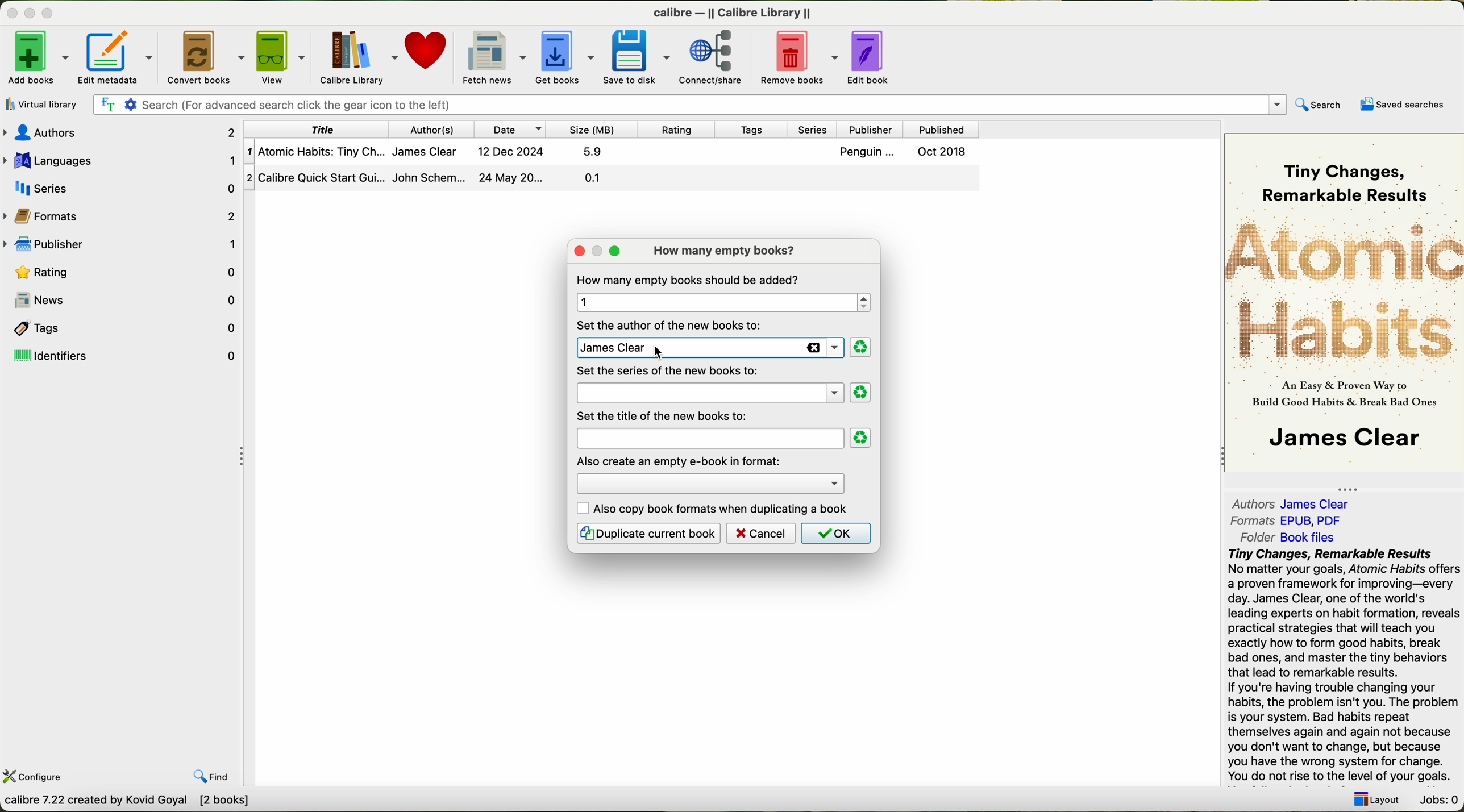 Image resolution: width=1464 pixels, height=812 pixels. Describe the element at coordinates (1345, 302) in the screenshot. I see `book cover preview` at that location.